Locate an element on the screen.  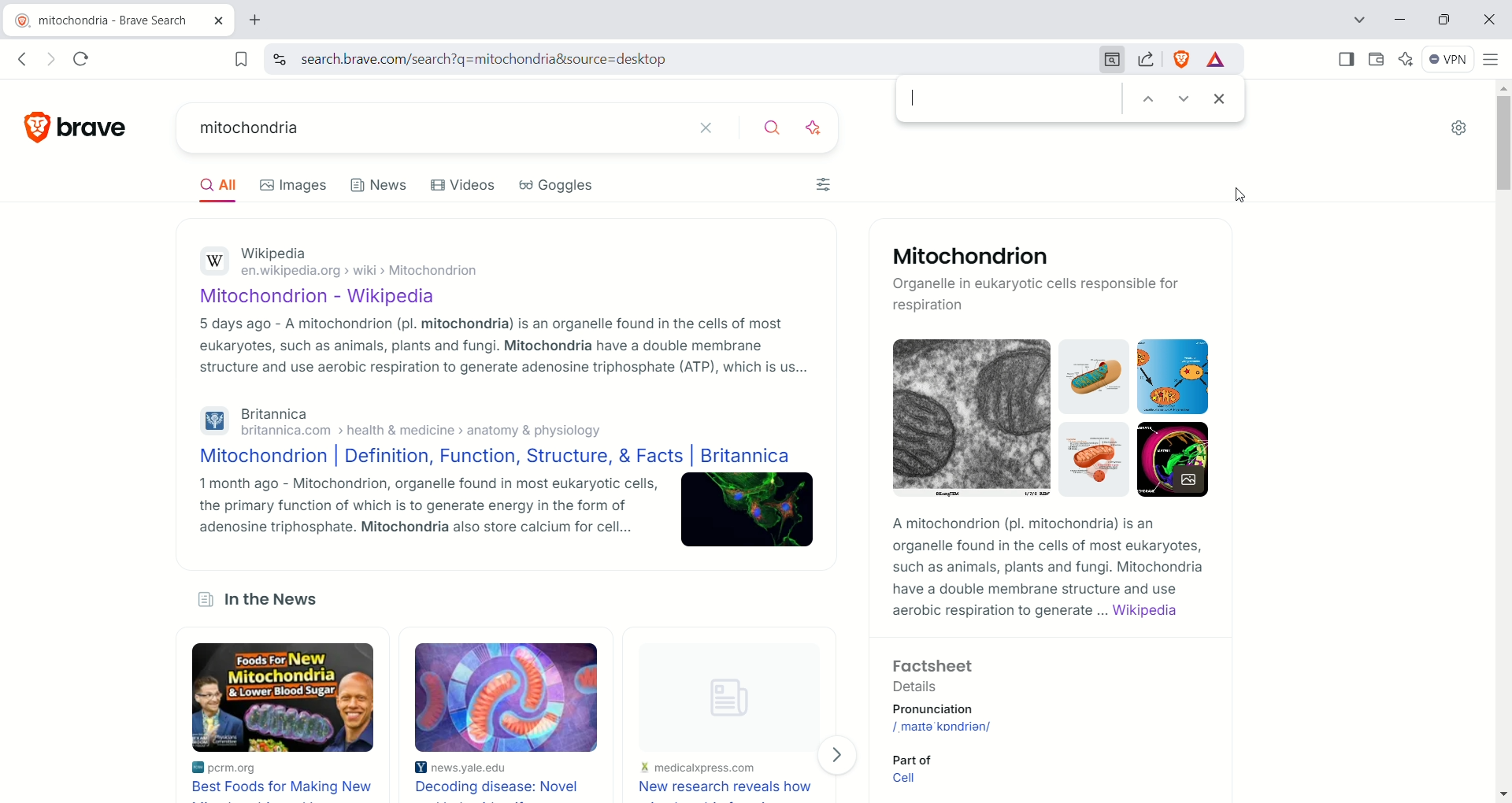
bookmark is located at coordinates (243, 60).